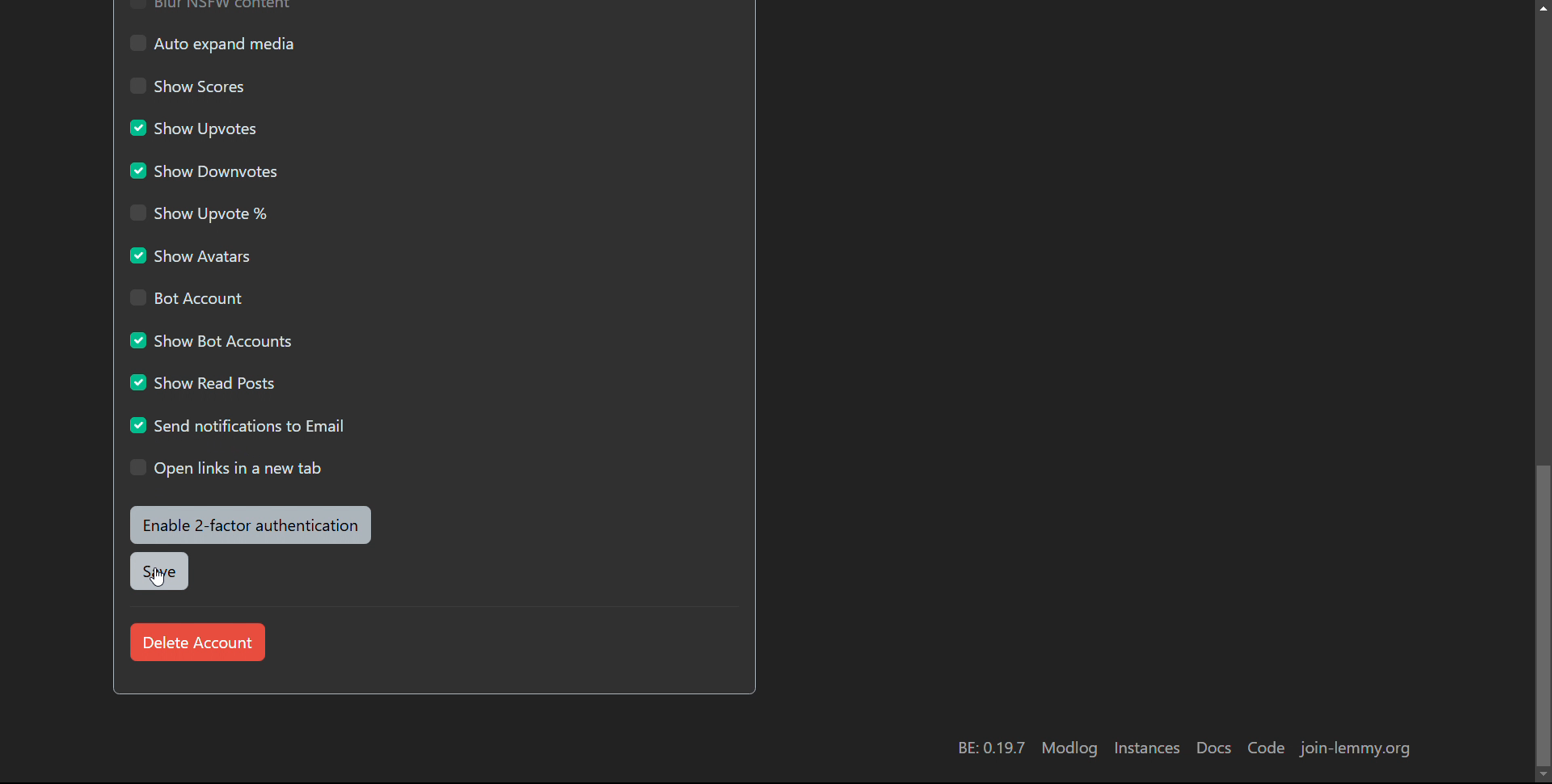 The height and width of the screenshot is (784, 1552). Describe the element at coordinates (1212, 748) in the screenshot. I see `docs` at that location.